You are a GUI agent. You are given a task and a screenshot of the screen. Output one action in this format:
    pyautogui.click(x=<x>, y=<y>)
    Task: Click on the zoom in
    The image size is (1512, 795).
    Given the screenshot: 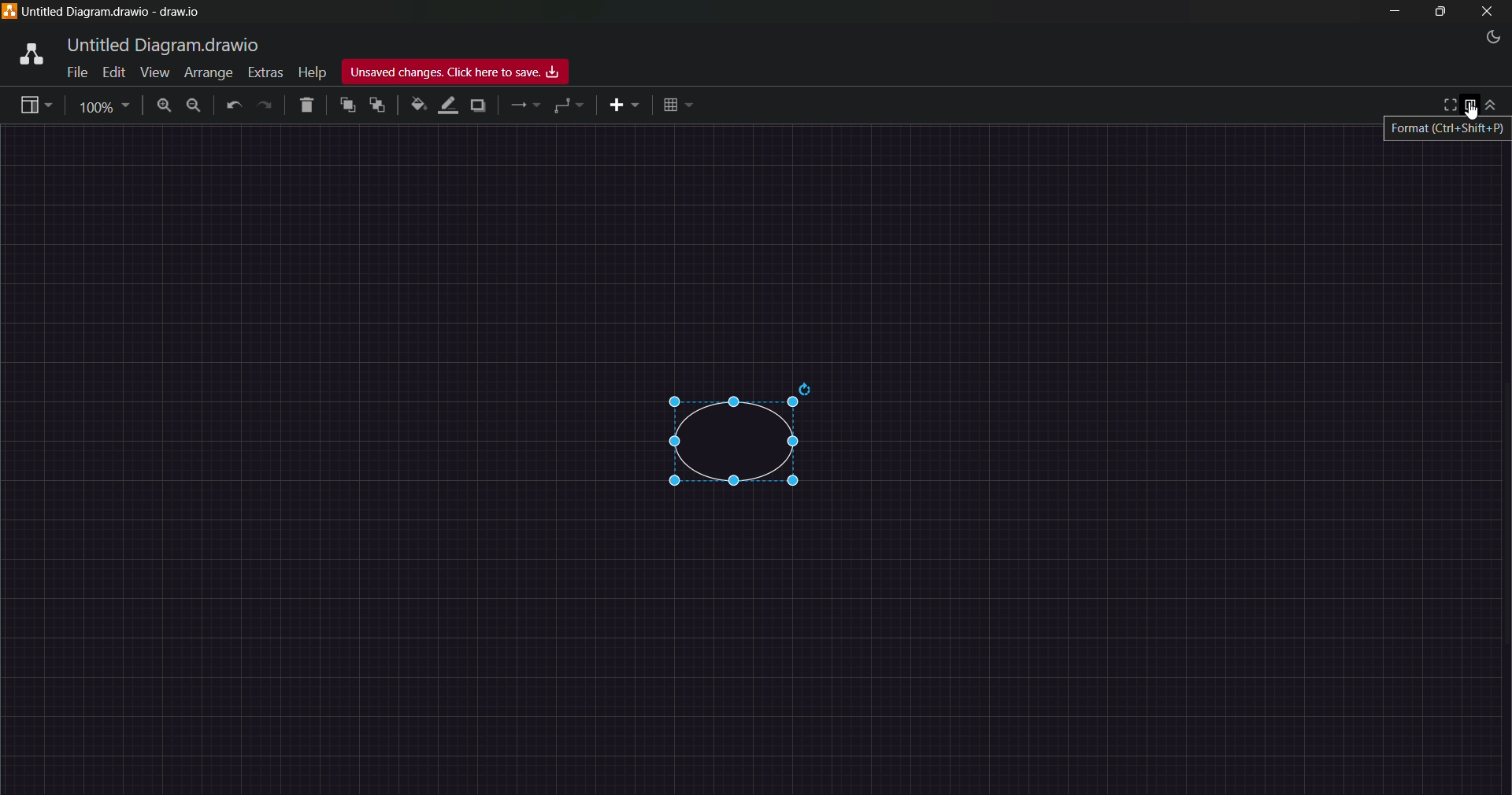 What is the action you would take?
    pyautogui.click(x=165, y=107)
    